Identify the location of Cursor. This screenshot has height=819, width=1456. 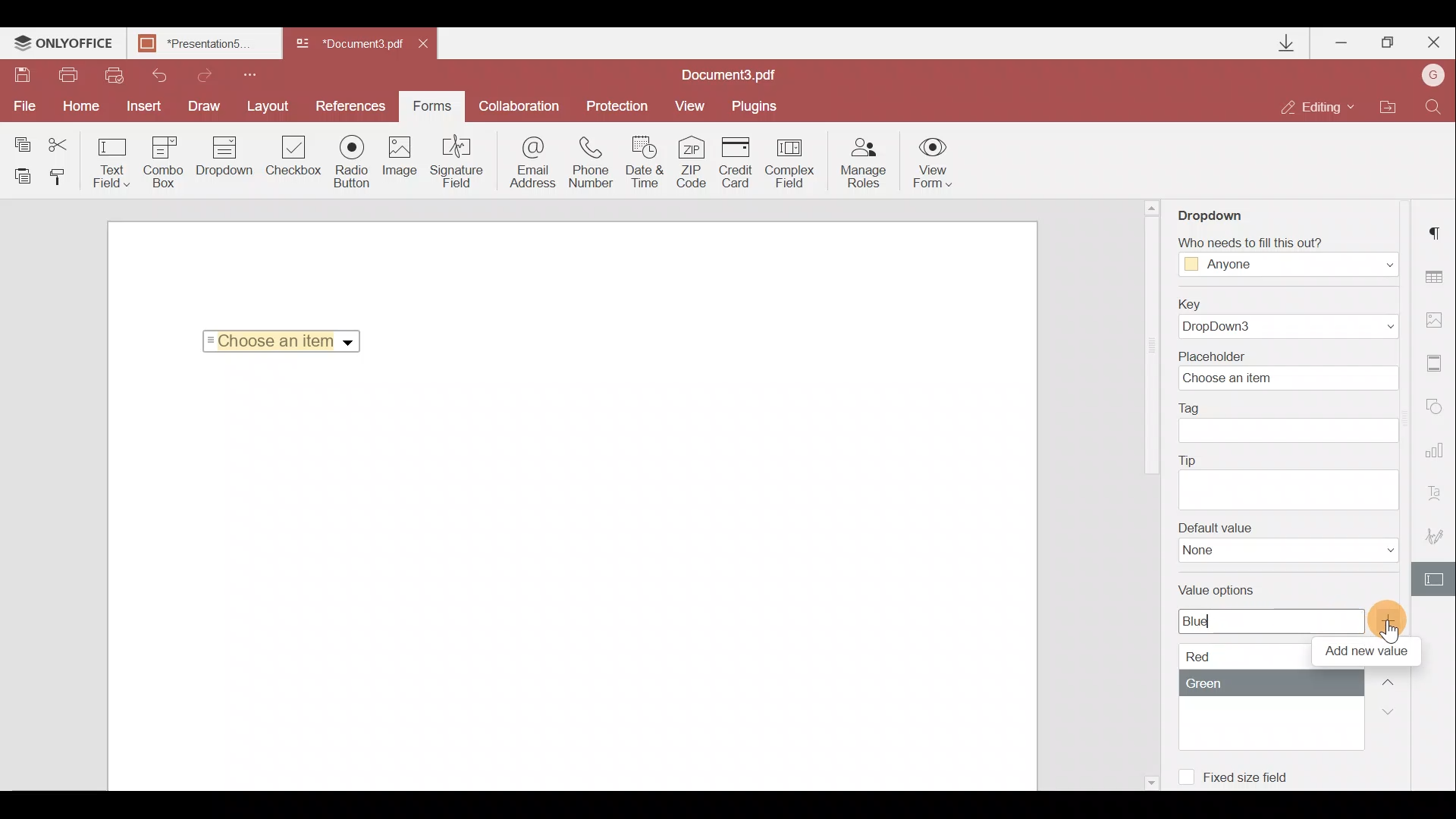
(1391, 626).